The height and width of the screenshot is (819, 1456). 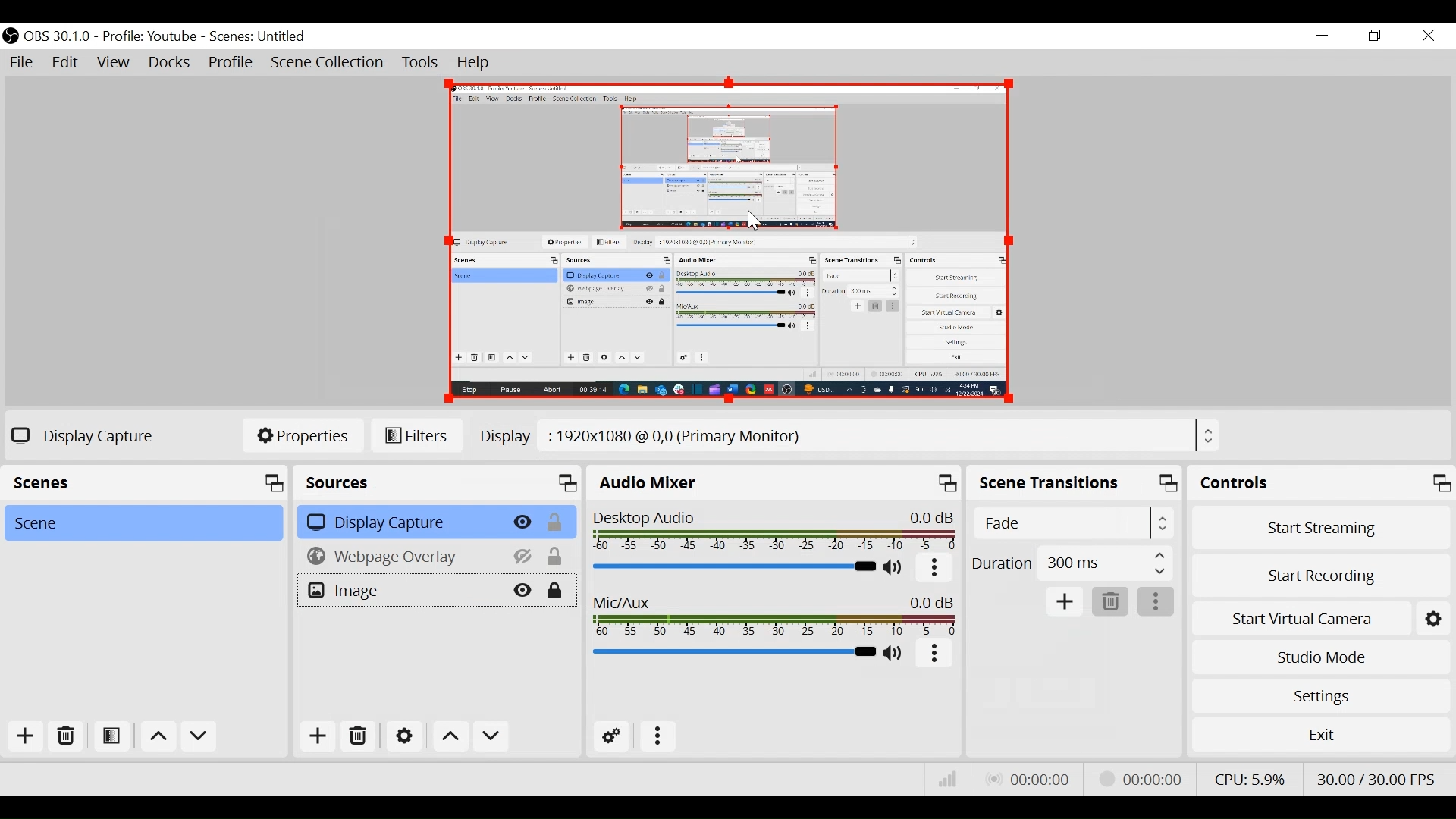 What do you see at coordinates (519, 557) in the screenshot?
I see `Hide/Display` at bounding box center [519, 557].